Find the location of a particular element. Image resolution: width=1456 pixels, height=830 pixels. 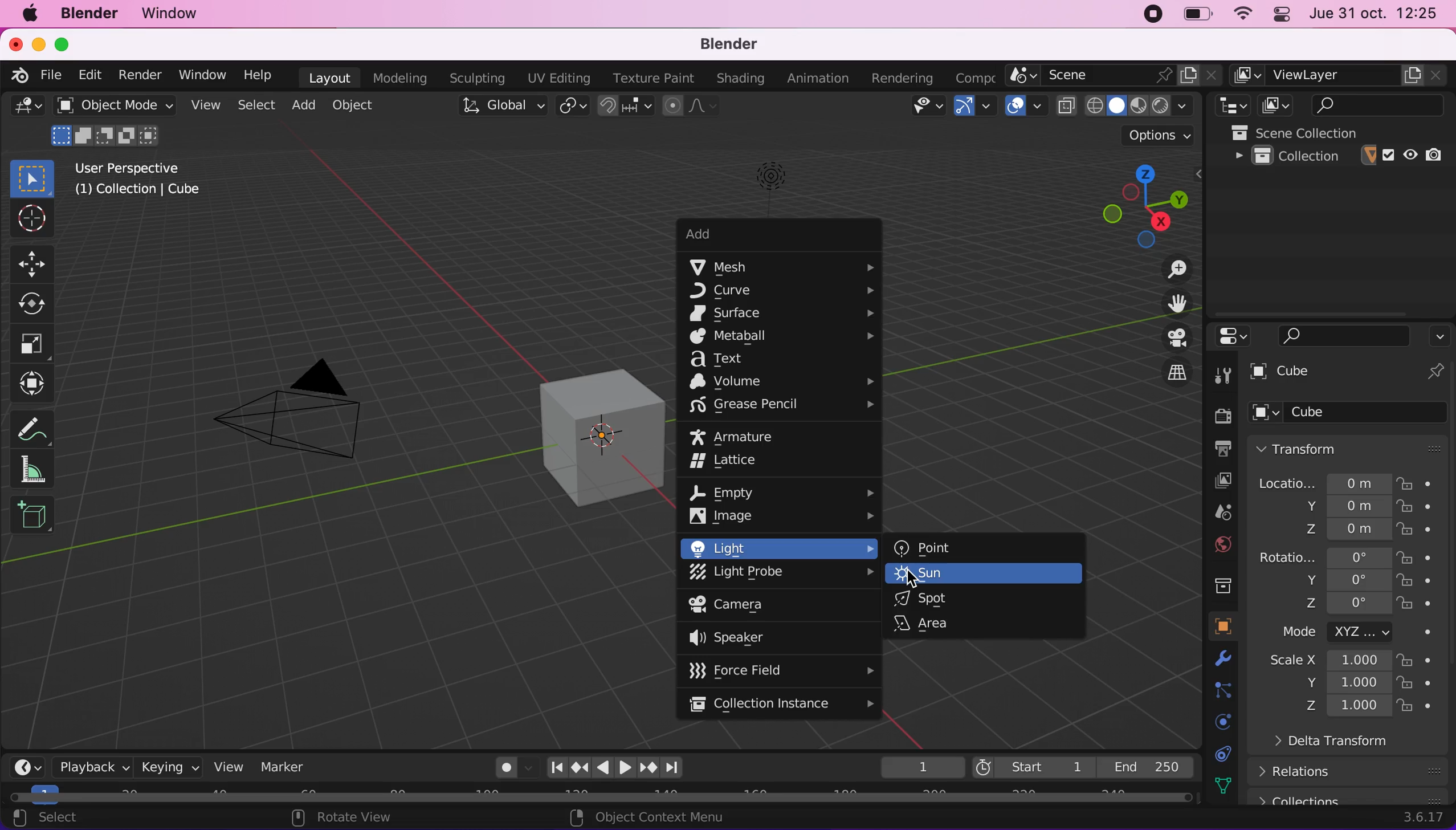

editor type is located at coordinates (29, 765).